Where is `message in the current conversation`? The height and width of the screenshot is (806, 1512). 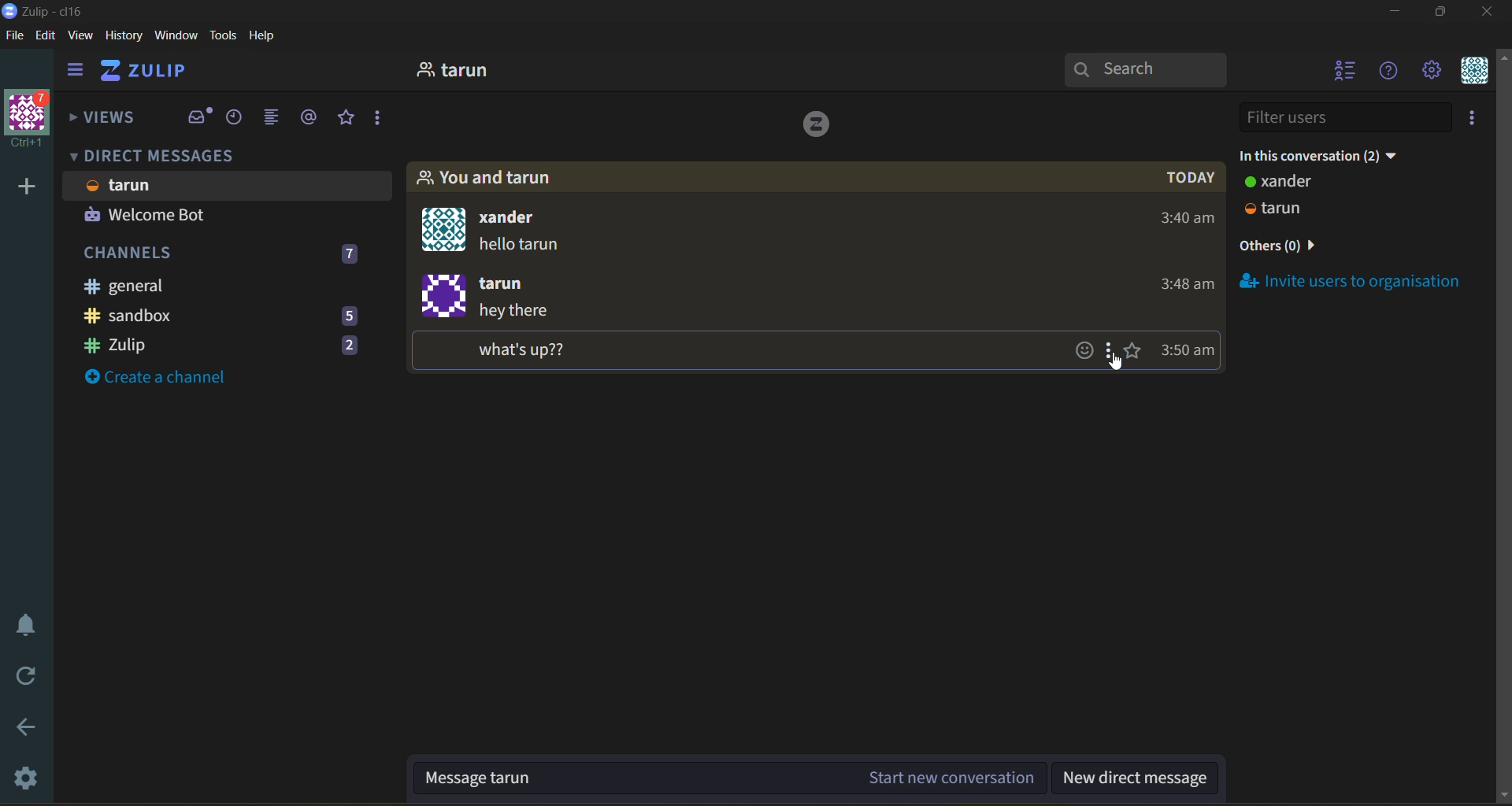 message in the current conversation is located at coordinates (728, 780).